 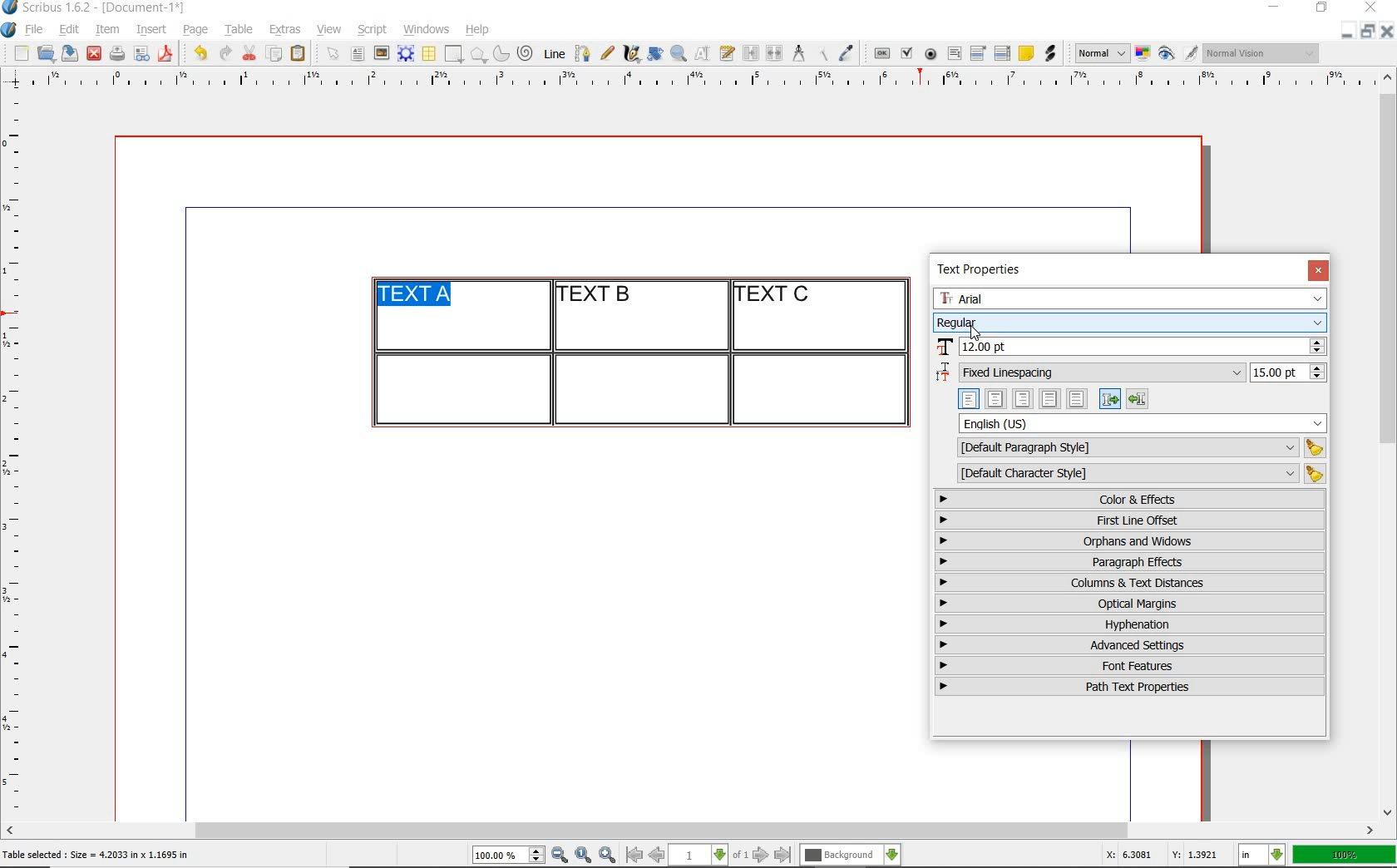 I want to click on first line offset, so click(x=1131, y=520).